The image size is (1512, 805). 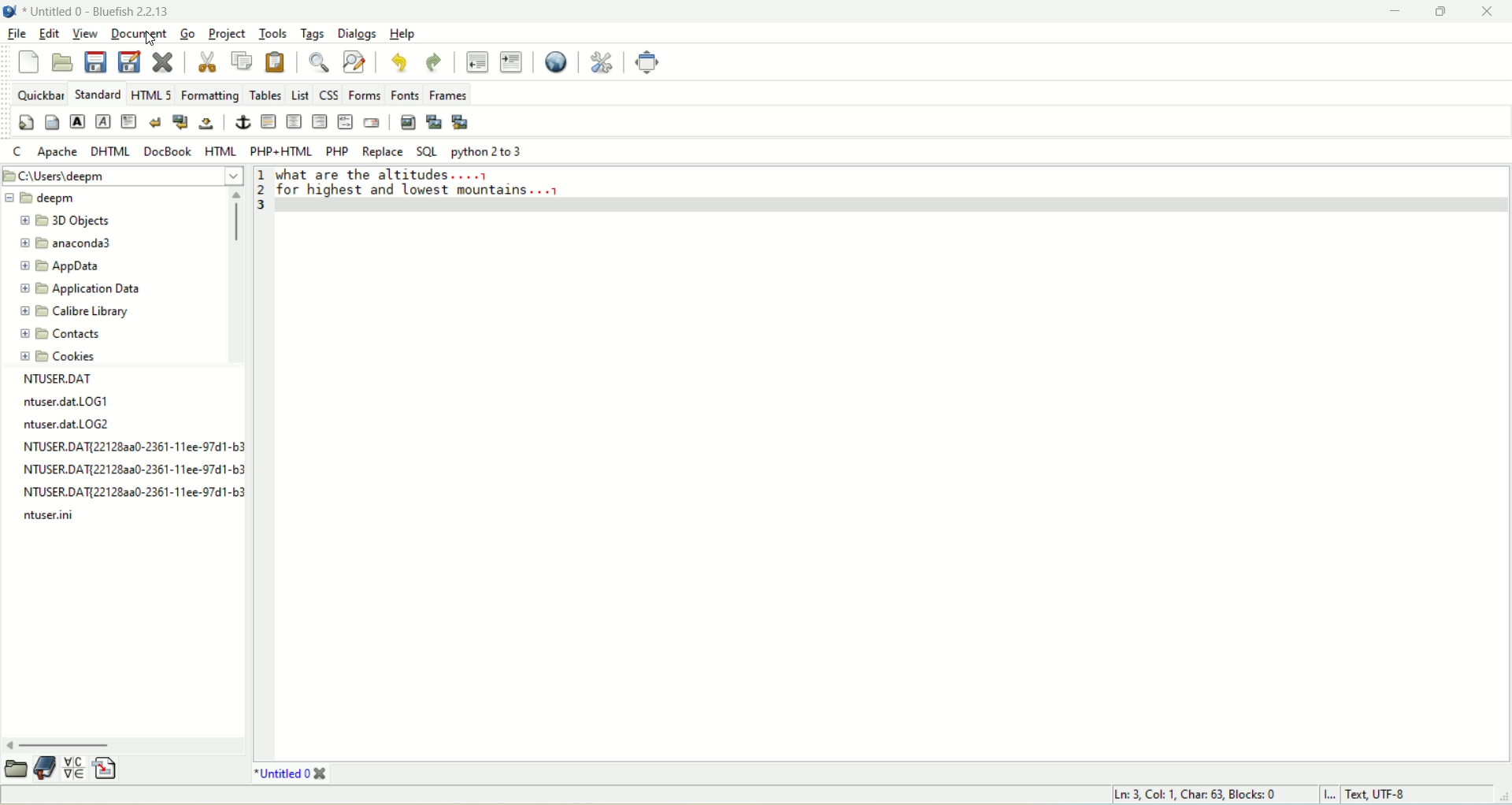 I want to click on break and clear, so click(x=181, y=122).